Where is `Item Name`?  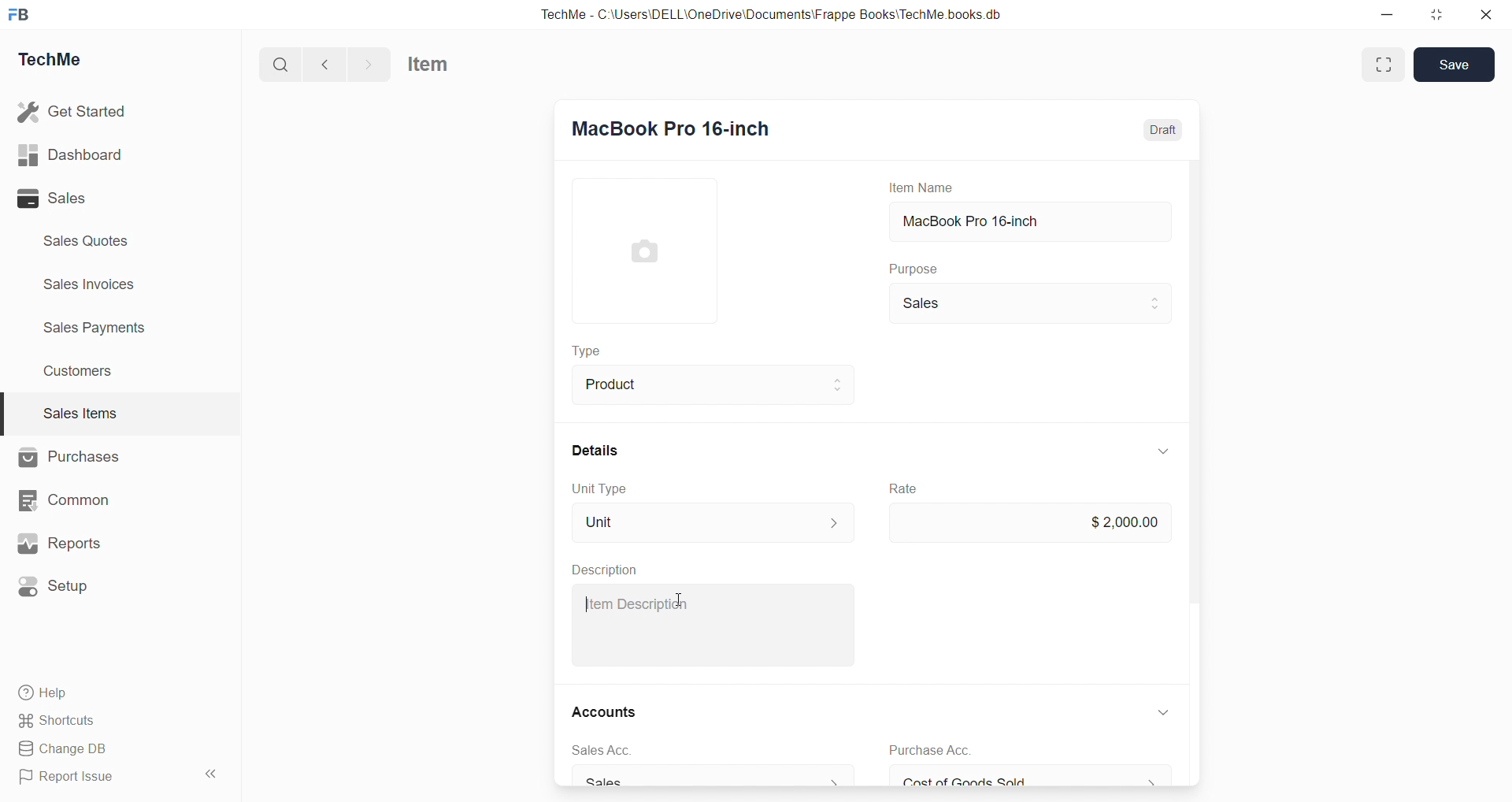
Item Name is located at coordinates (919, 188).